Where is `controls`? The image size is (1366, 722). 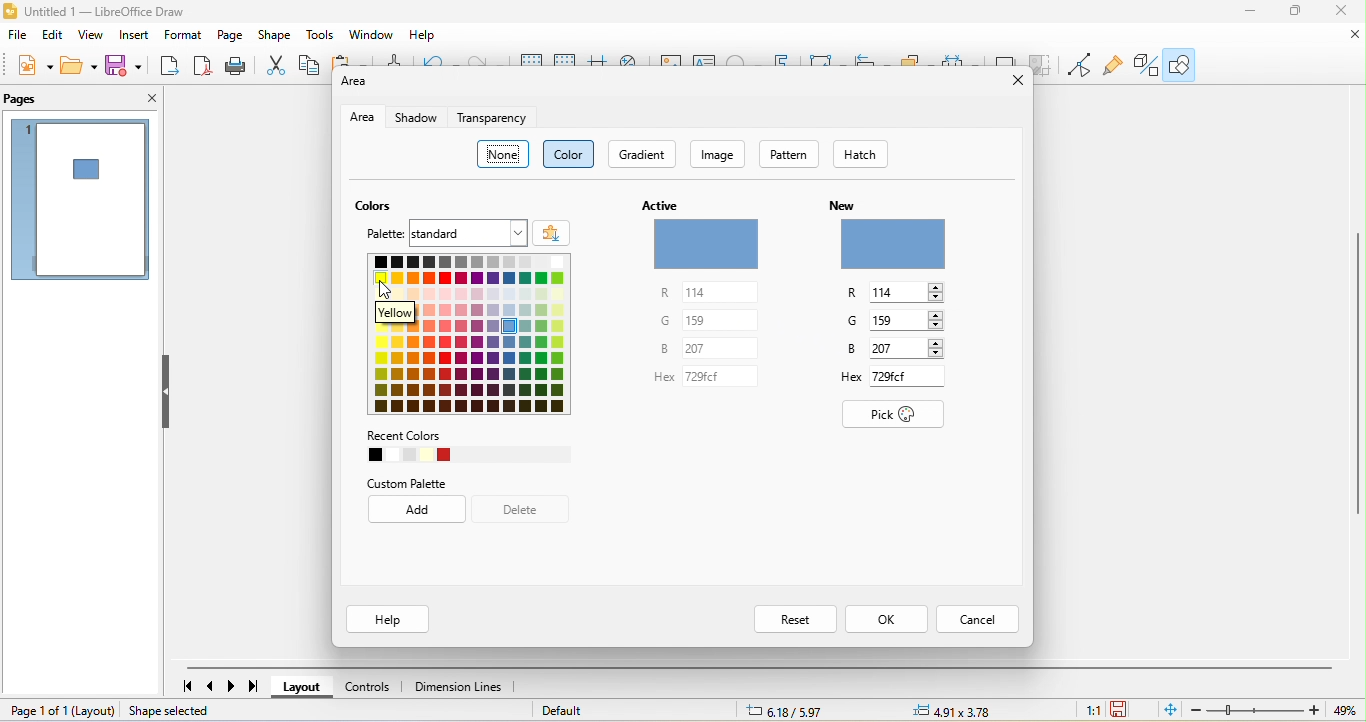
controls is located at coordinates (374, 684).